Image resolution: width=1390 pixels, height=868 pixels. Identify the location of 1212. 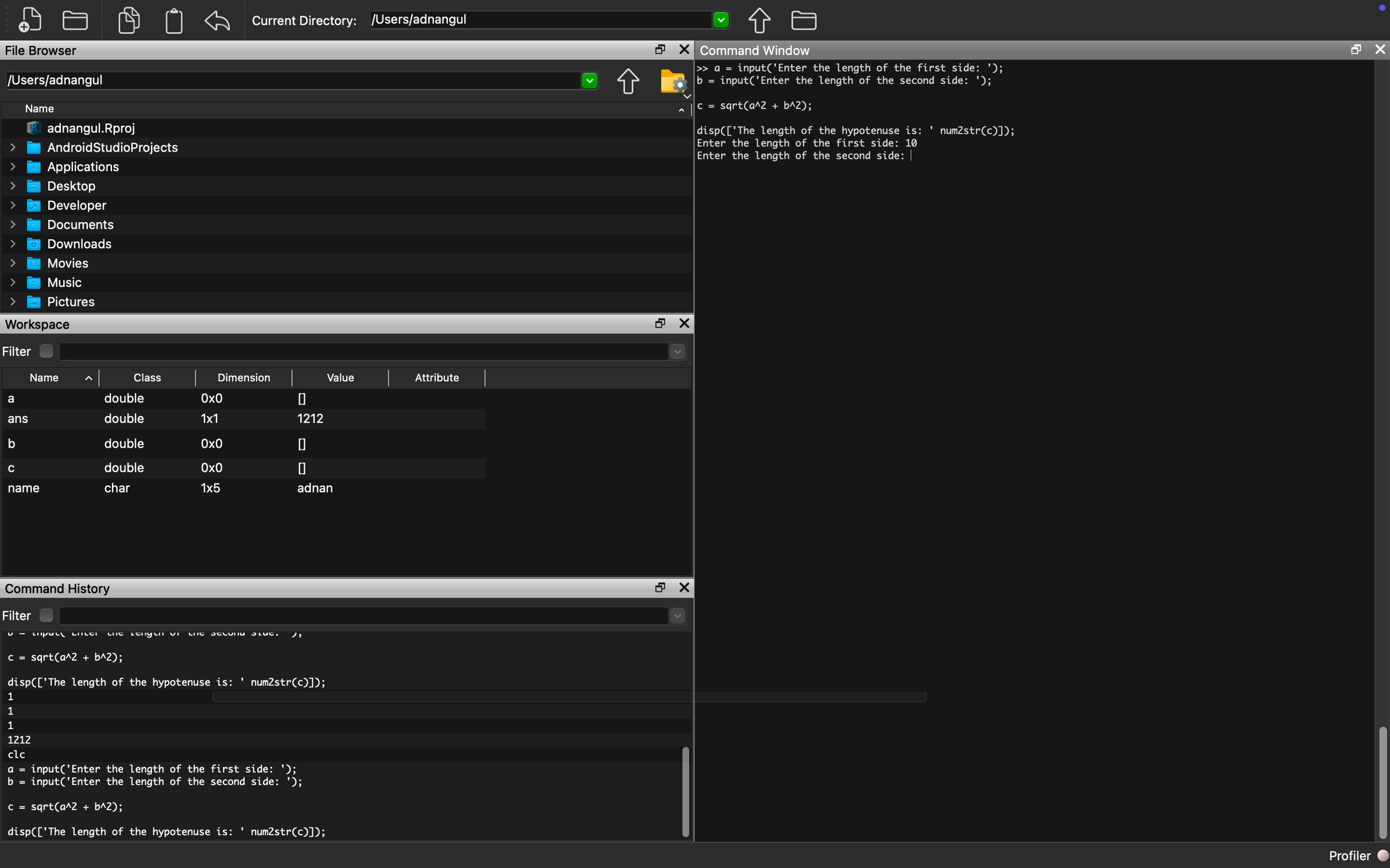
(314, 418).